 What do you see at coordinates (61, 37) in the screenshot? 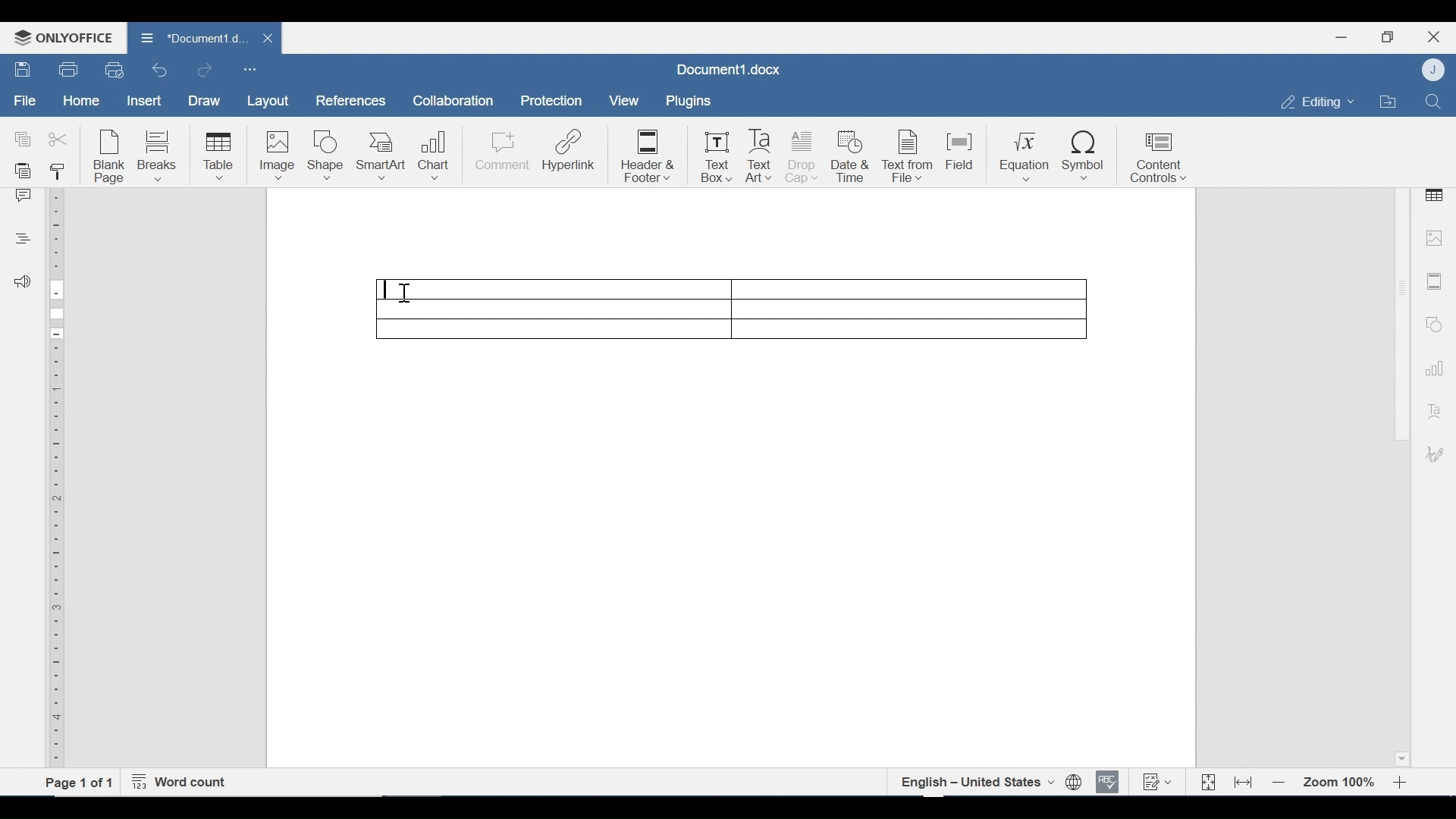
I see `OnlyOffice` at bounding box center [61, 37].